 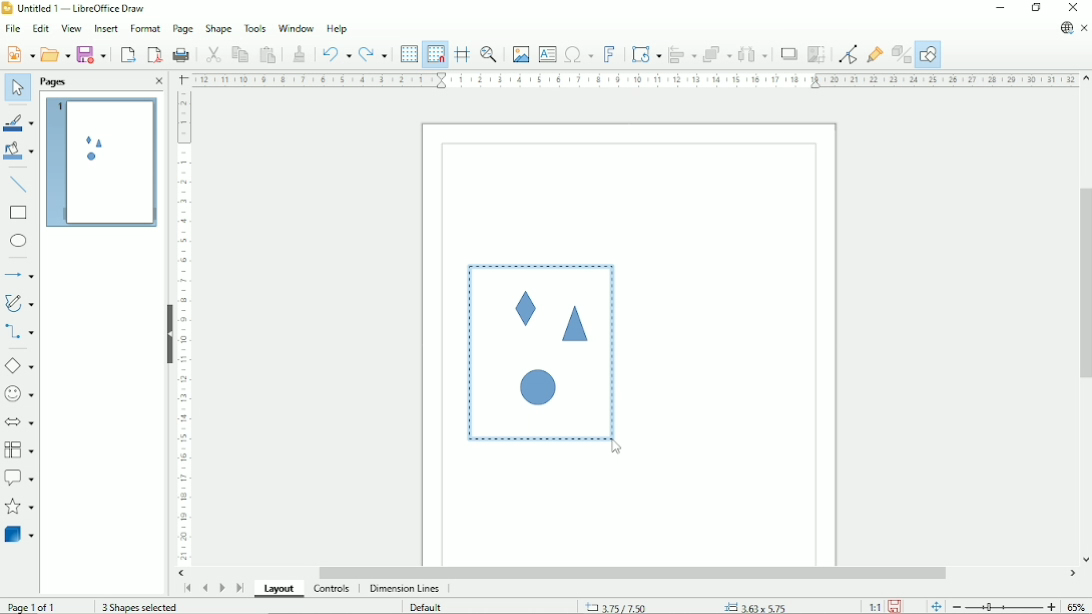 What do you see at coordinates (20, 421) in the screenshot?
I see `Block arrows` at bounding box center [20, 421].